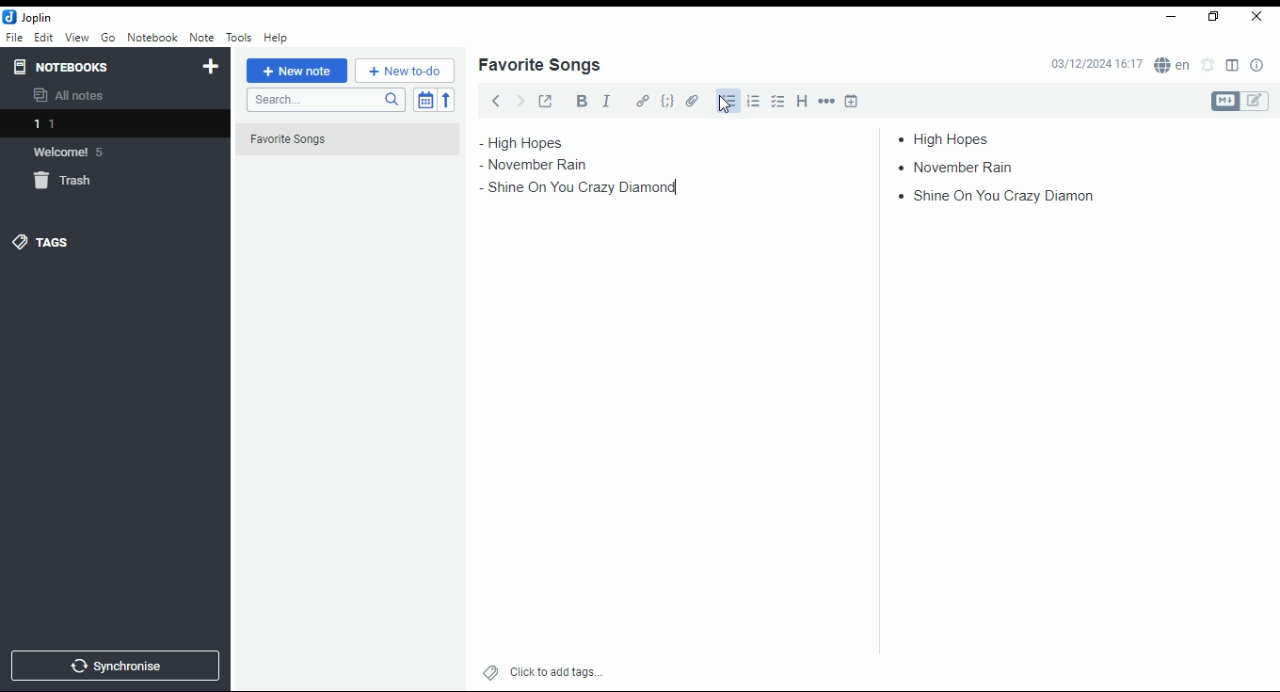 The image size is (1280, 692). What do you see at coordinates (547, 143) in the screenshot?
I see `high hopes` at bounding box center [547, 143].